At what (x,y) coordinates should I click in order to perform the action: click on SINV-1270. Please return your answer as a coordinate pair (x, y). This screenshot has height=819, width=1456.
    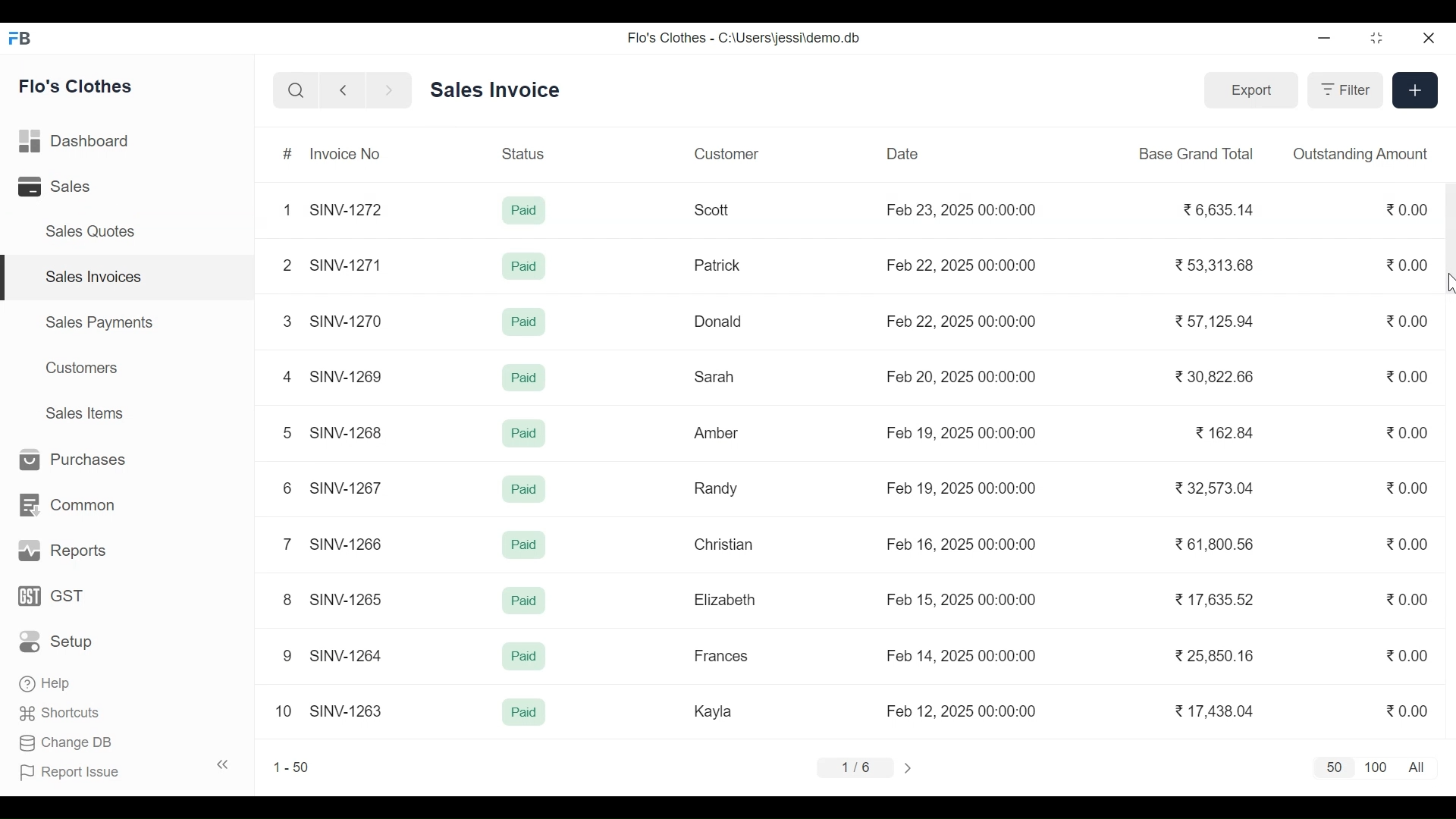
    Looking at the image, I should click on (349, 321).